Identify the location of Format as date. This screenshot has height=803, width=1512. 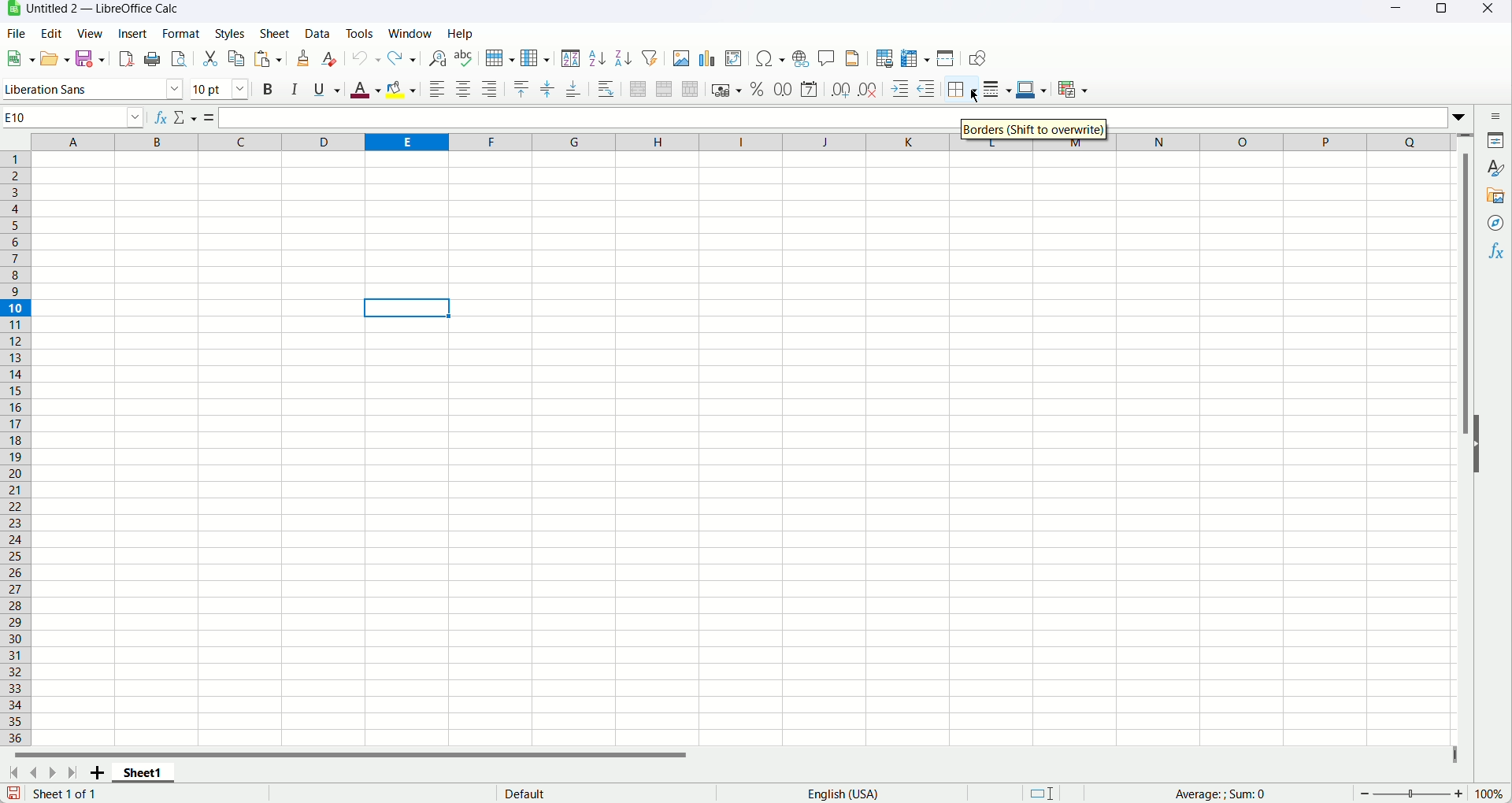
(809, 88).